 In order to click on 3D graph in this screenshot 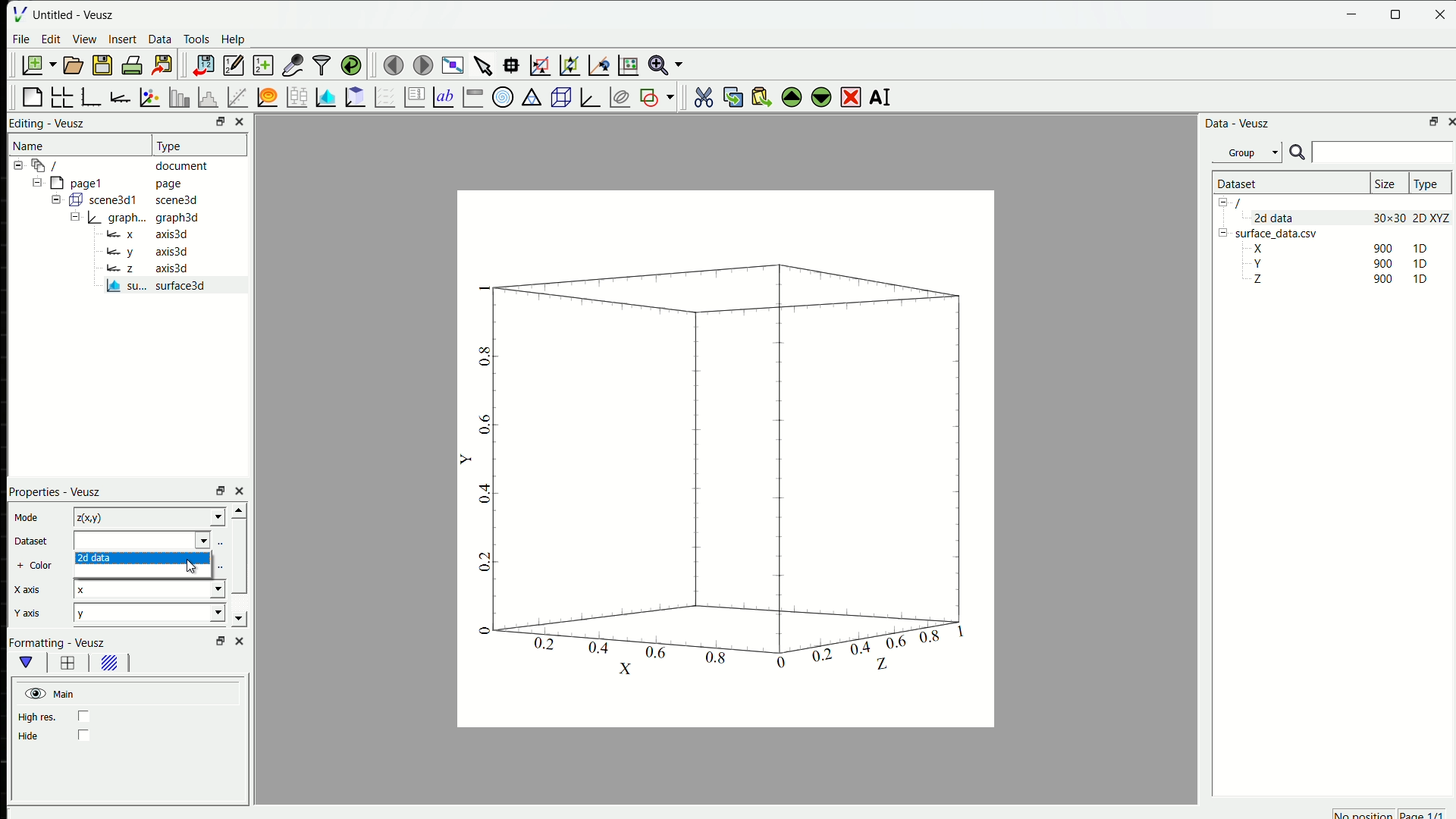, I will do `click(591, 96)`.